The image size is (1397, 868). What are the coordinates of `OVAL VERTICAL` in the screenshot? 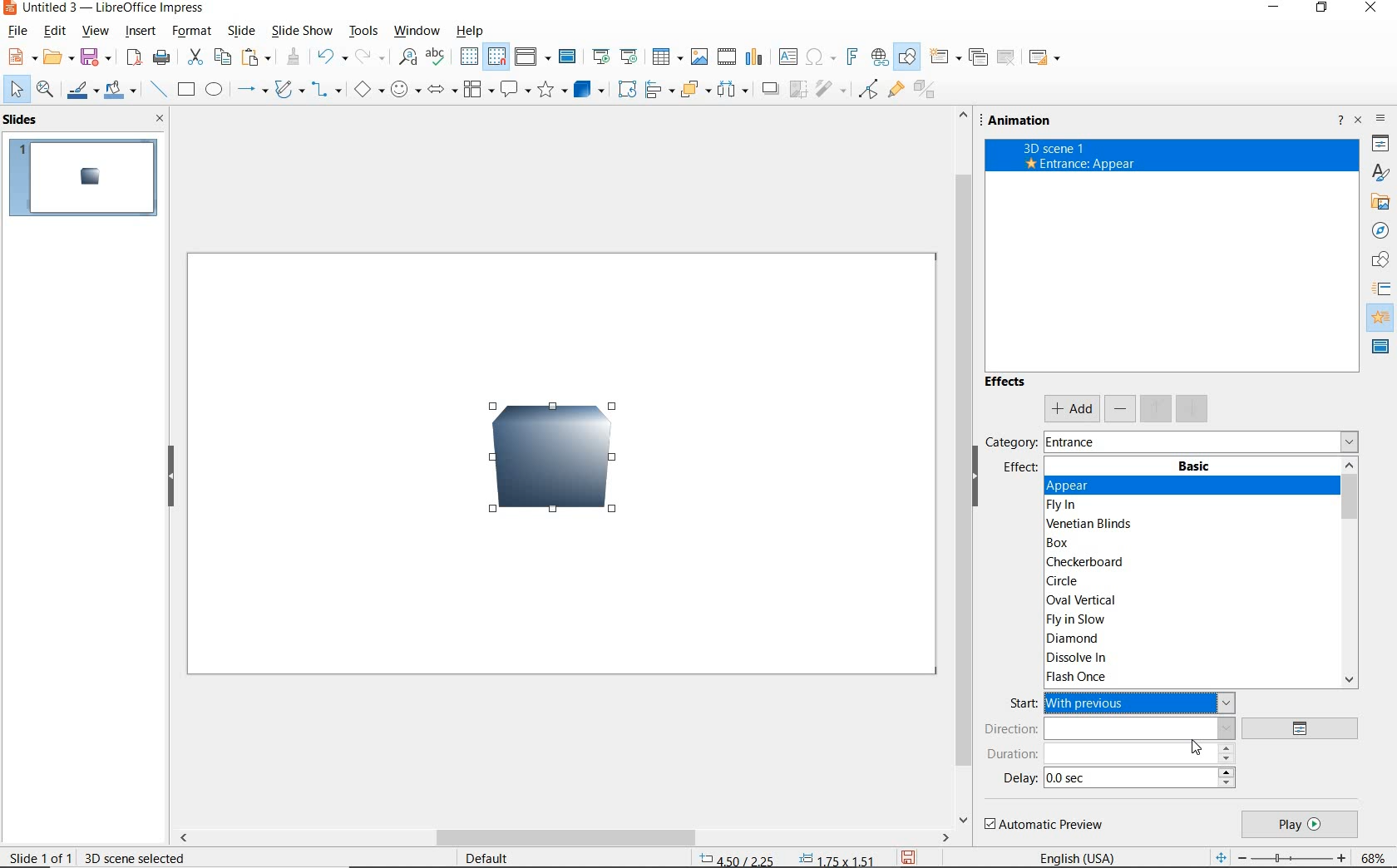 It's located at (1080, 599).